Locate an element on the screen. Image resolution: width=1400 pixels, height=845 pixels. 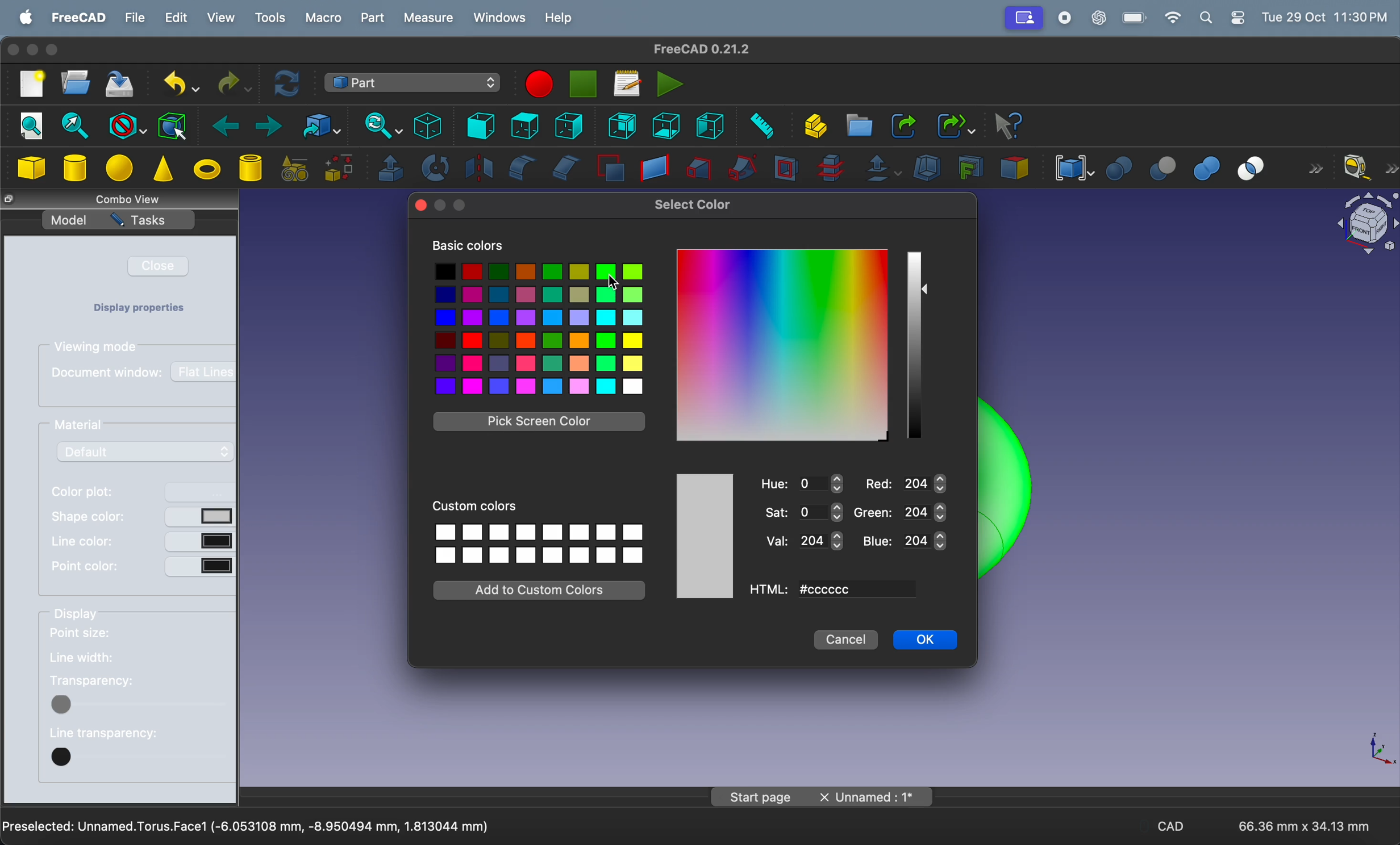
Profile is located at coordinates (1023, 17).